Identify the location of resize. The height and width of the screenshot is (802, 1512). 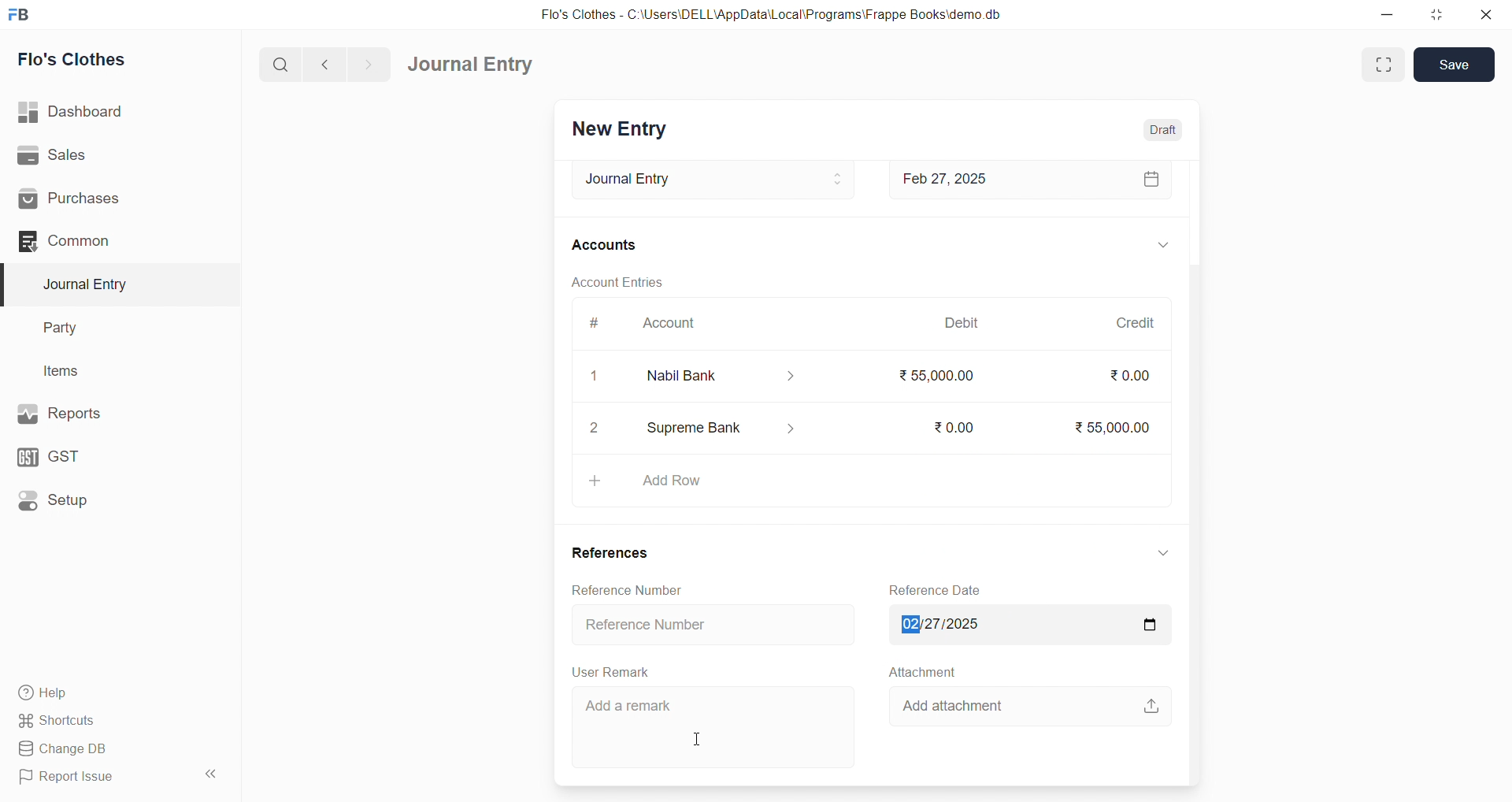
(1436, 13).